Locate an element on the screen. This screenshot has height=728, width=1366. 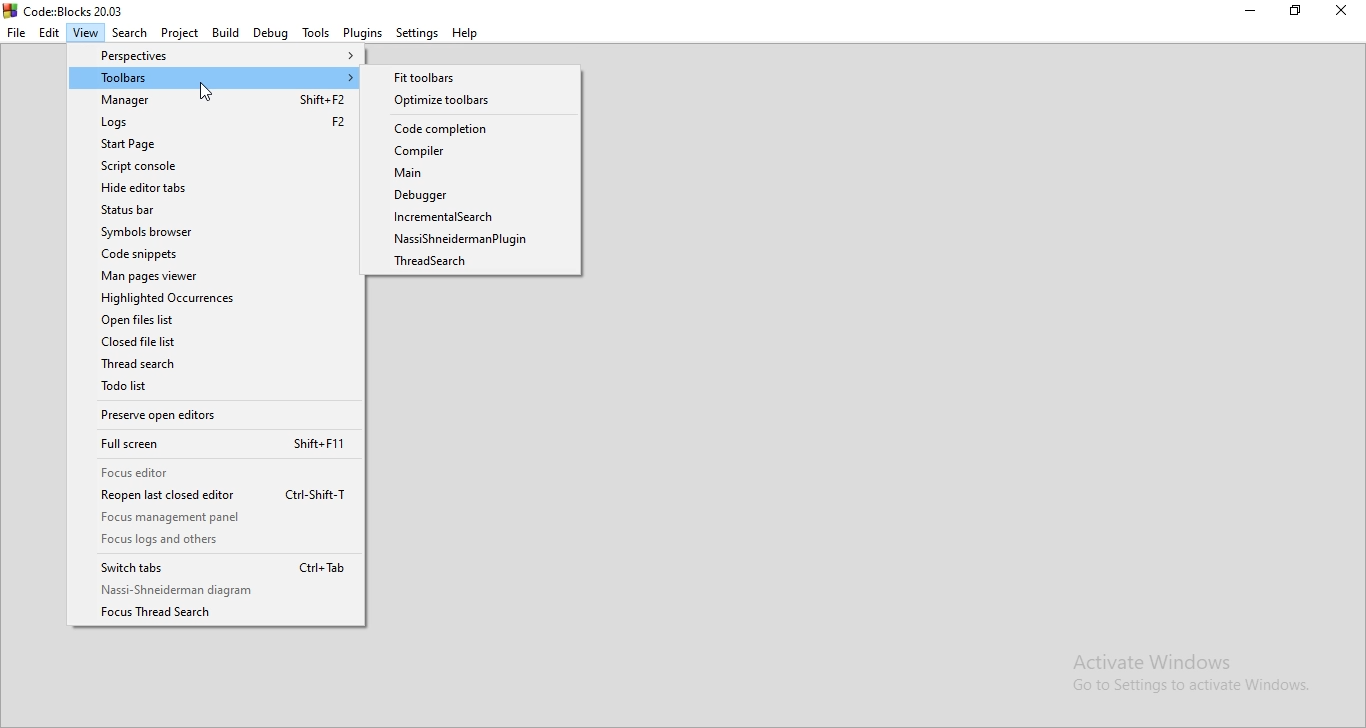
Manager is located at coordinates (215, 101).